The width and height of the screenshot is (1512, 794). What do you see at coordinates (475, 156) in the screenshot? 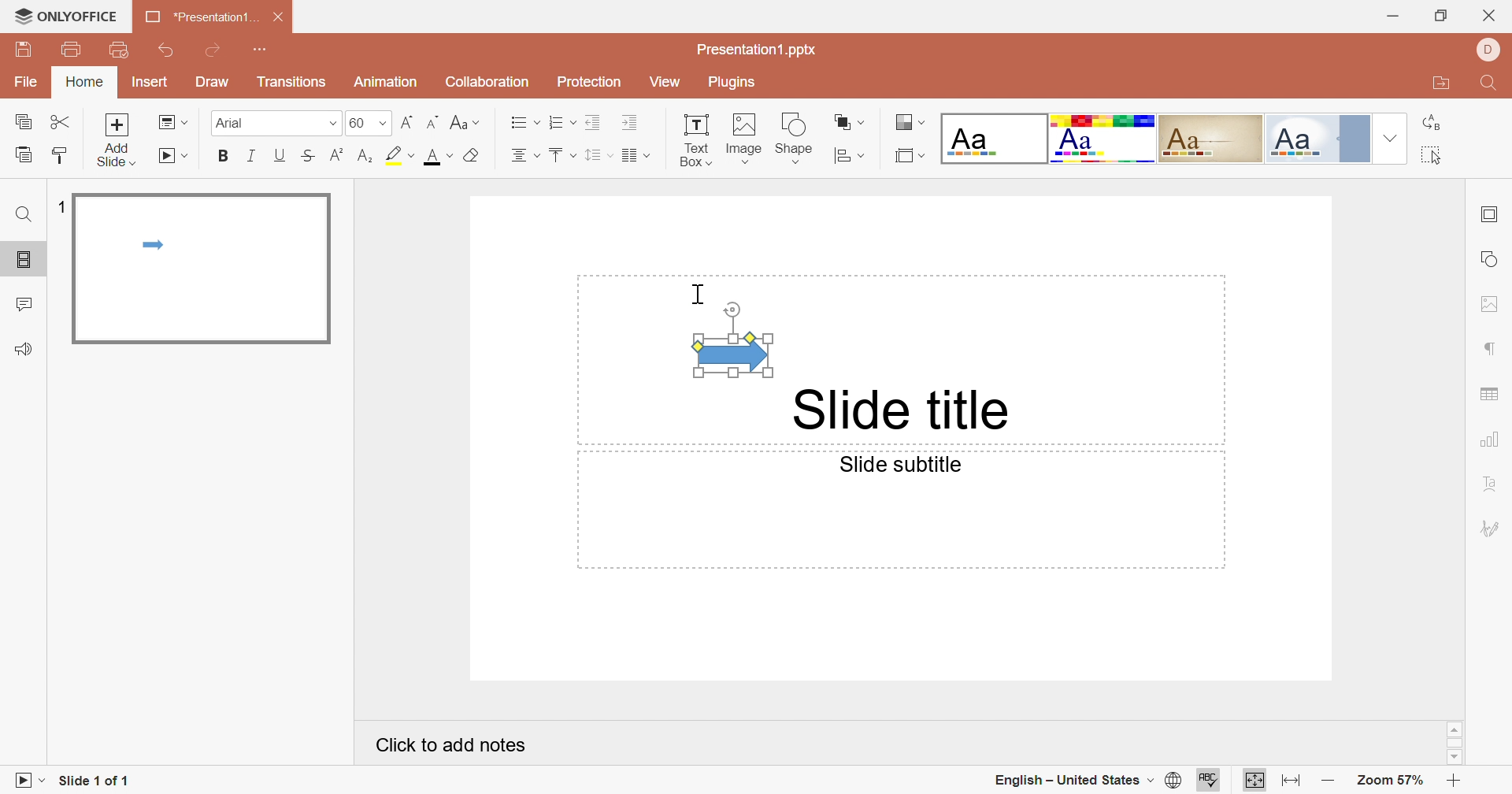
I see `Clear style` at bounding box center [475, 156].